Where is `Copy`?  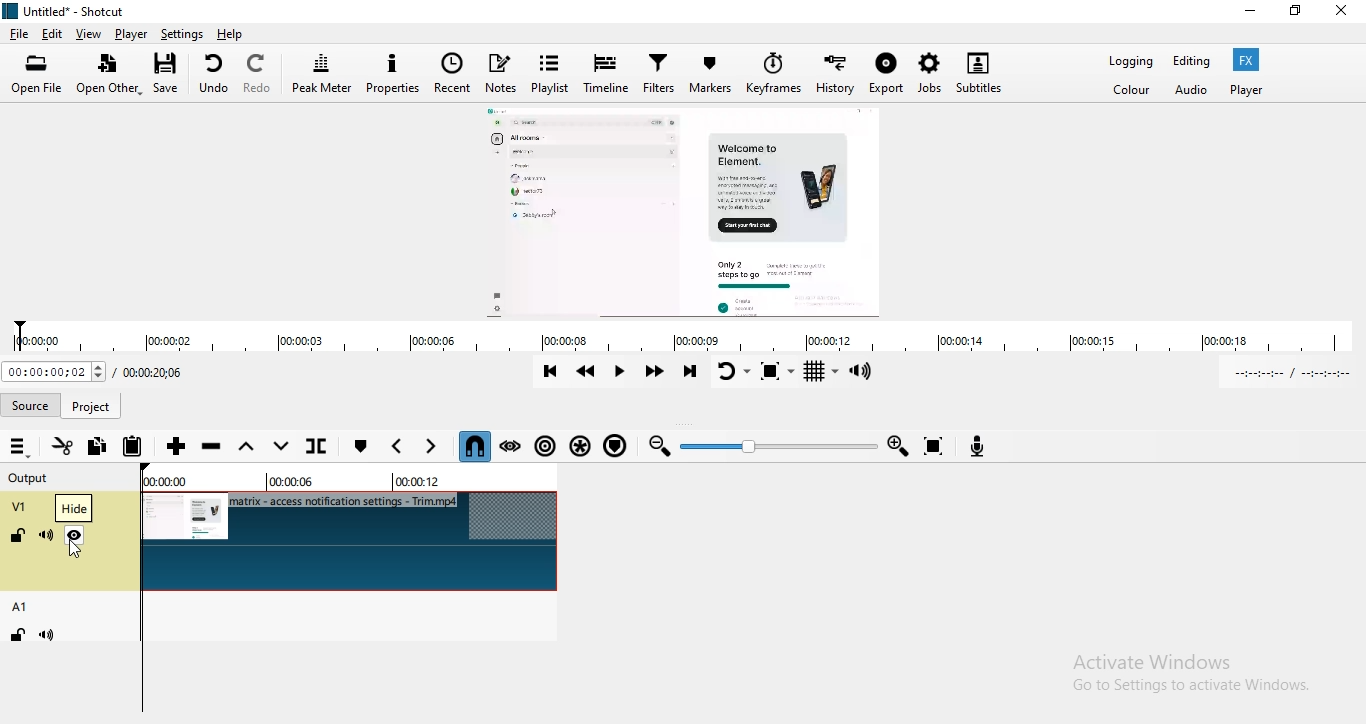
Copy is located at coordinates (100, 447).